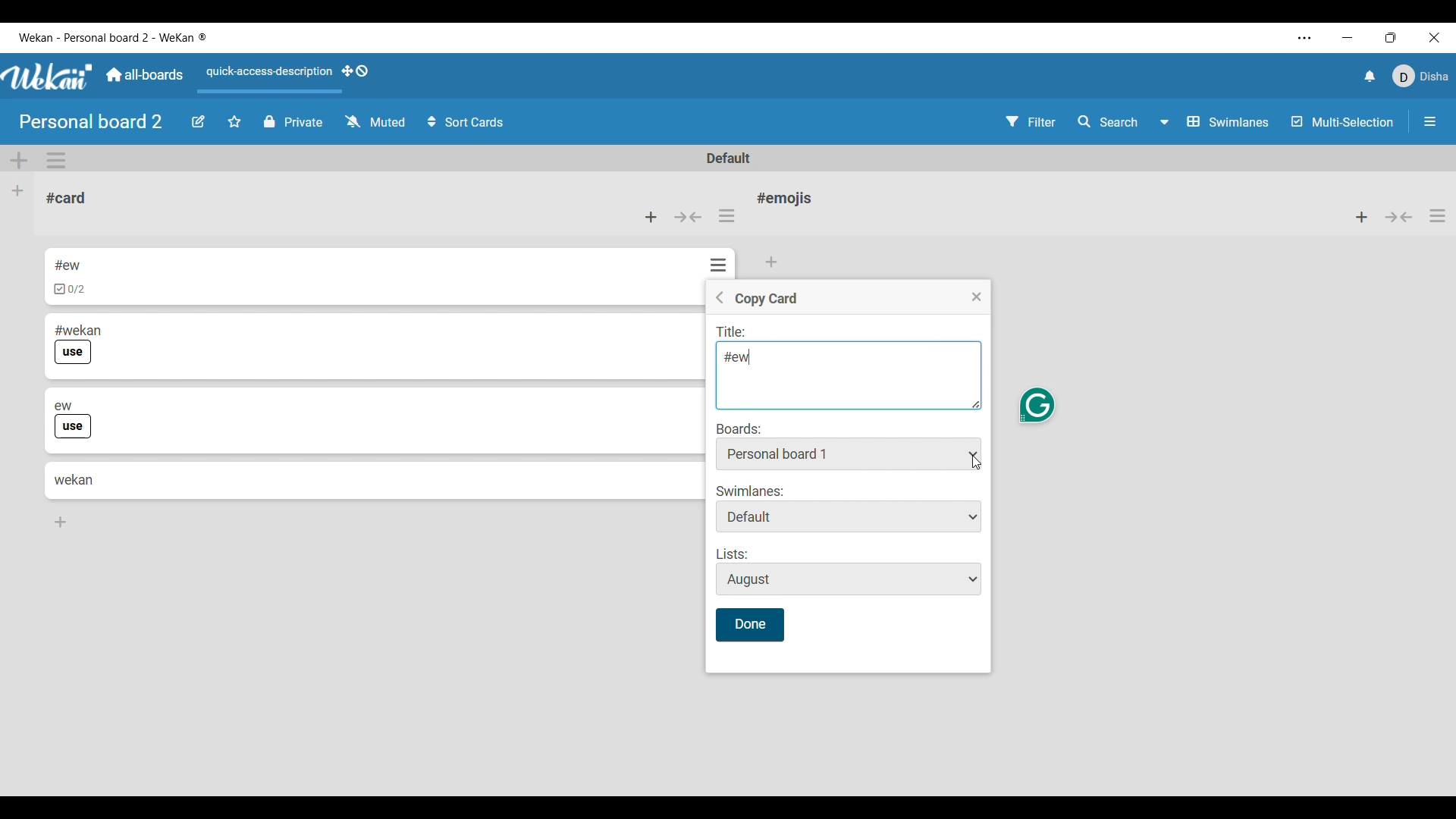 Image resolution: width=1456 pixels, height=819 pixels. Describe the element at coordinates (1399, 217) in the screenshot. I see `Collapse` at that location.